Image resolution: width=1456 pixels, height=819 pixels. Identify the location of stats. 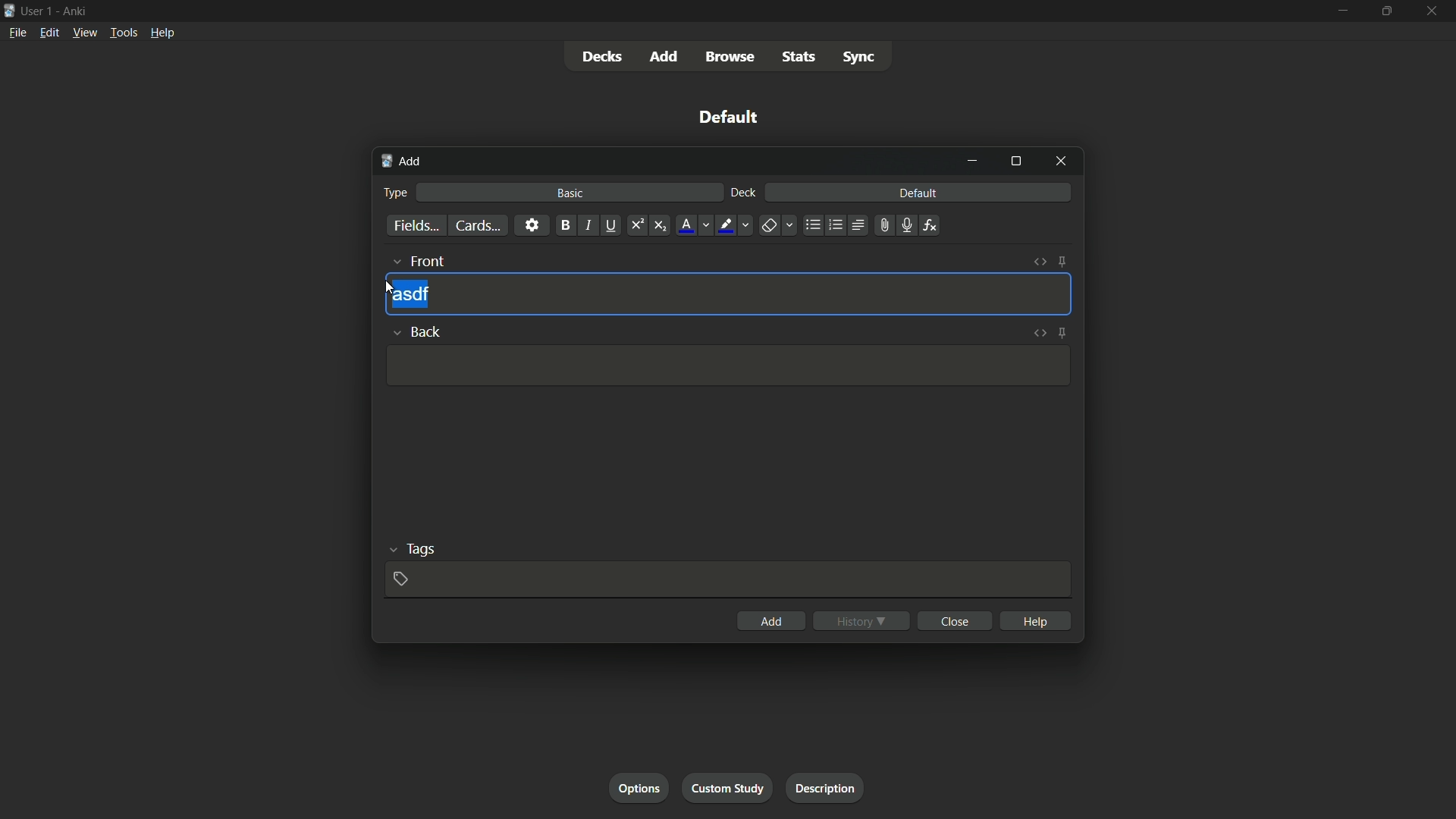
(799, 58).